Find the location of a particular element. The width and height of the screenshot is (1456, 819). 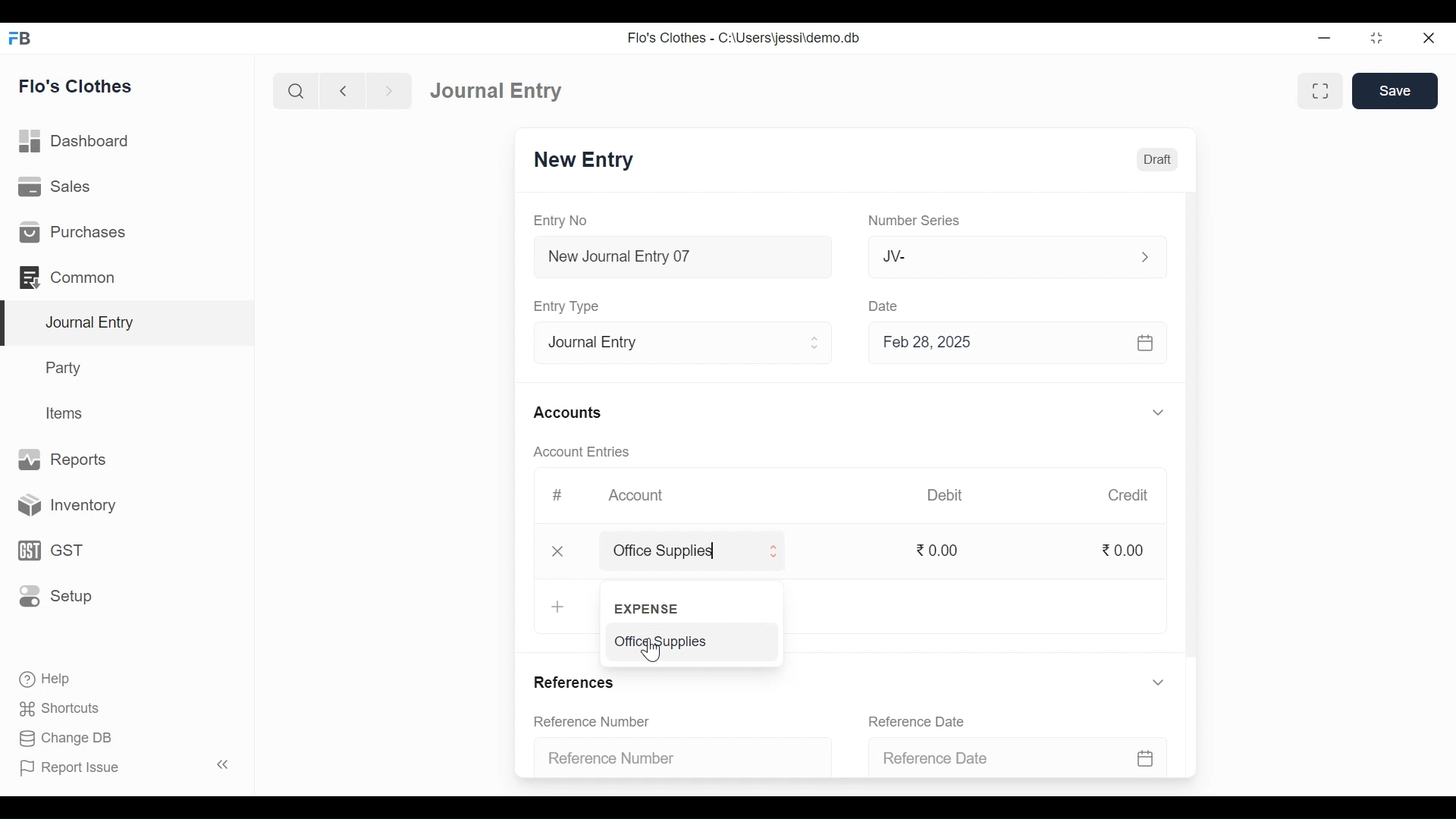

References is located at coordinates (579, 681).